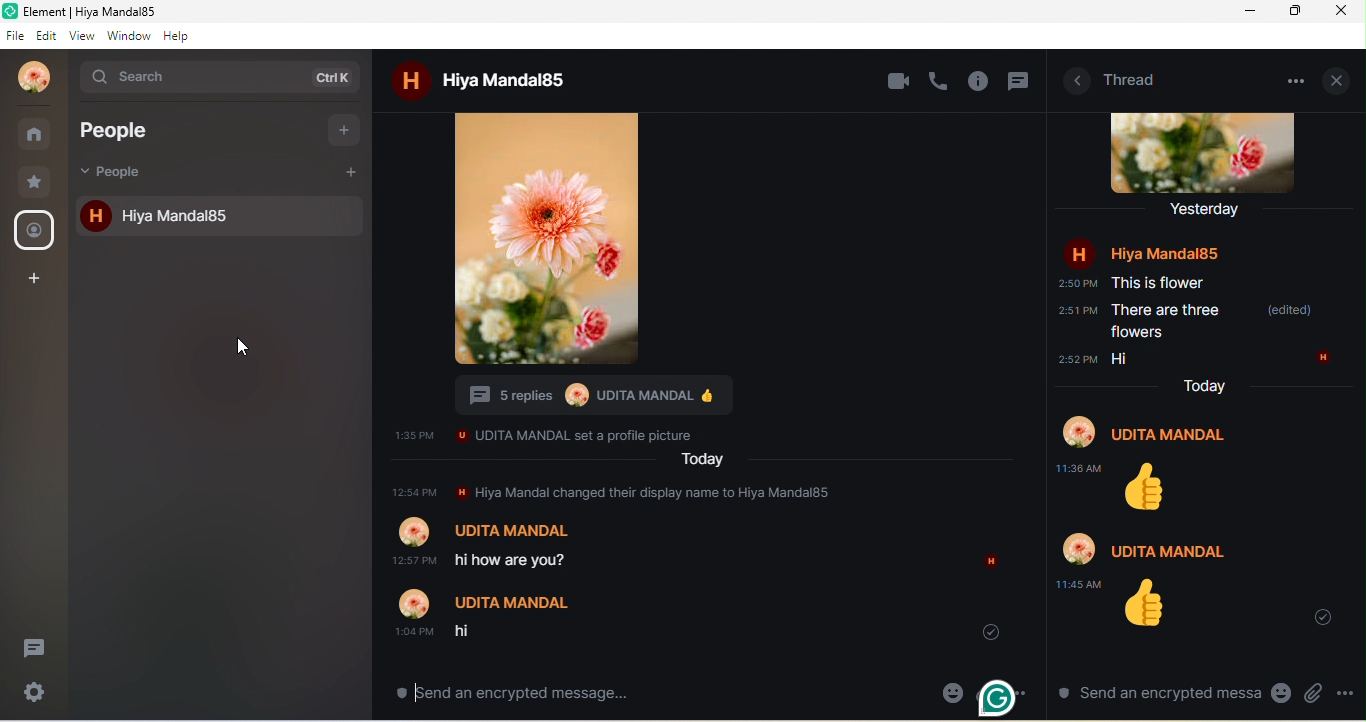  What do you see at coordinates (511, 79) in the screenshot?
I see `hiya mandal85` at bounding box center [511, 79].